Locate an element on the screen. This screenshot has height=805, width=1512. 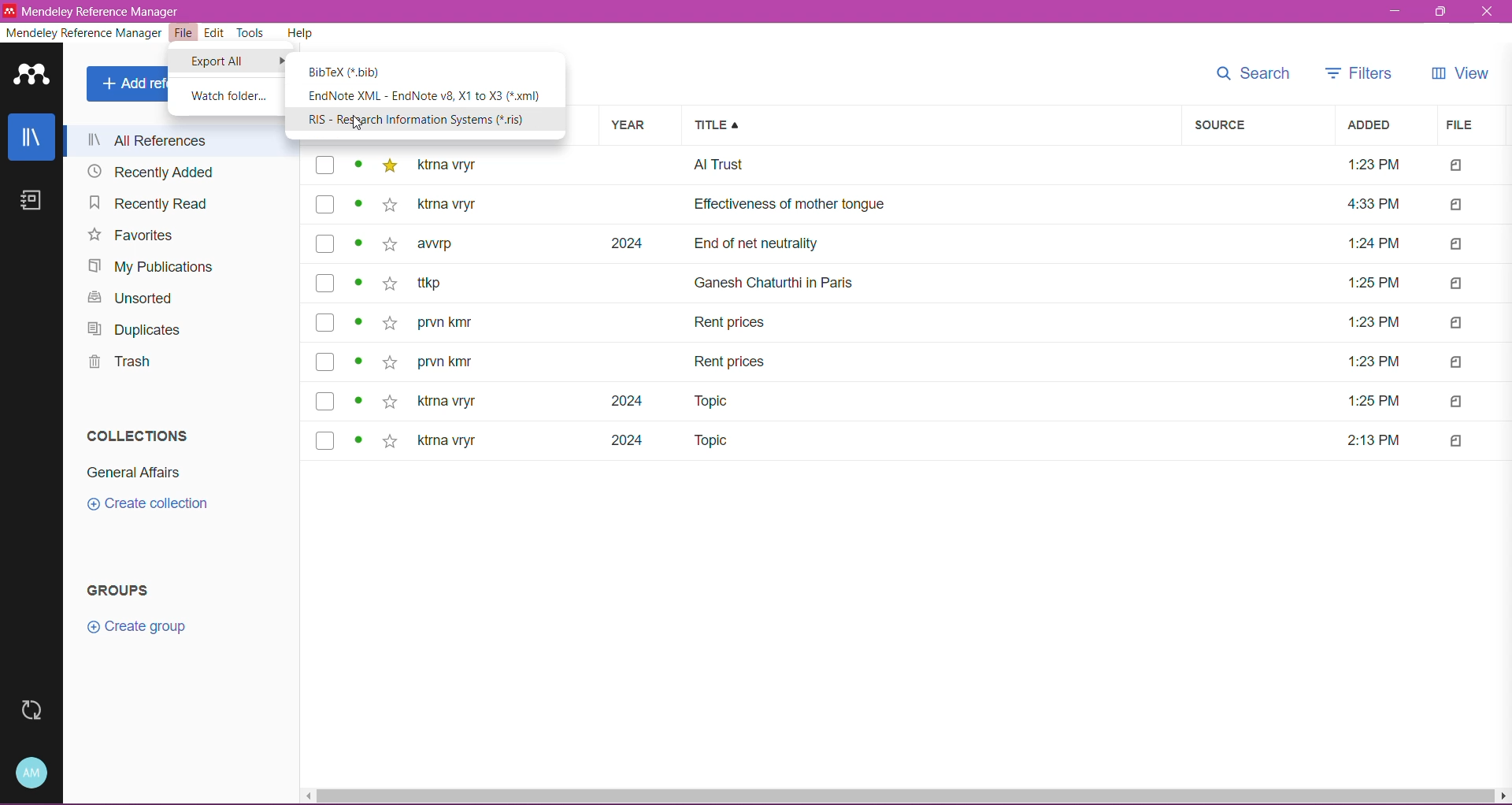
Added is located at coordinates (1382, 124).